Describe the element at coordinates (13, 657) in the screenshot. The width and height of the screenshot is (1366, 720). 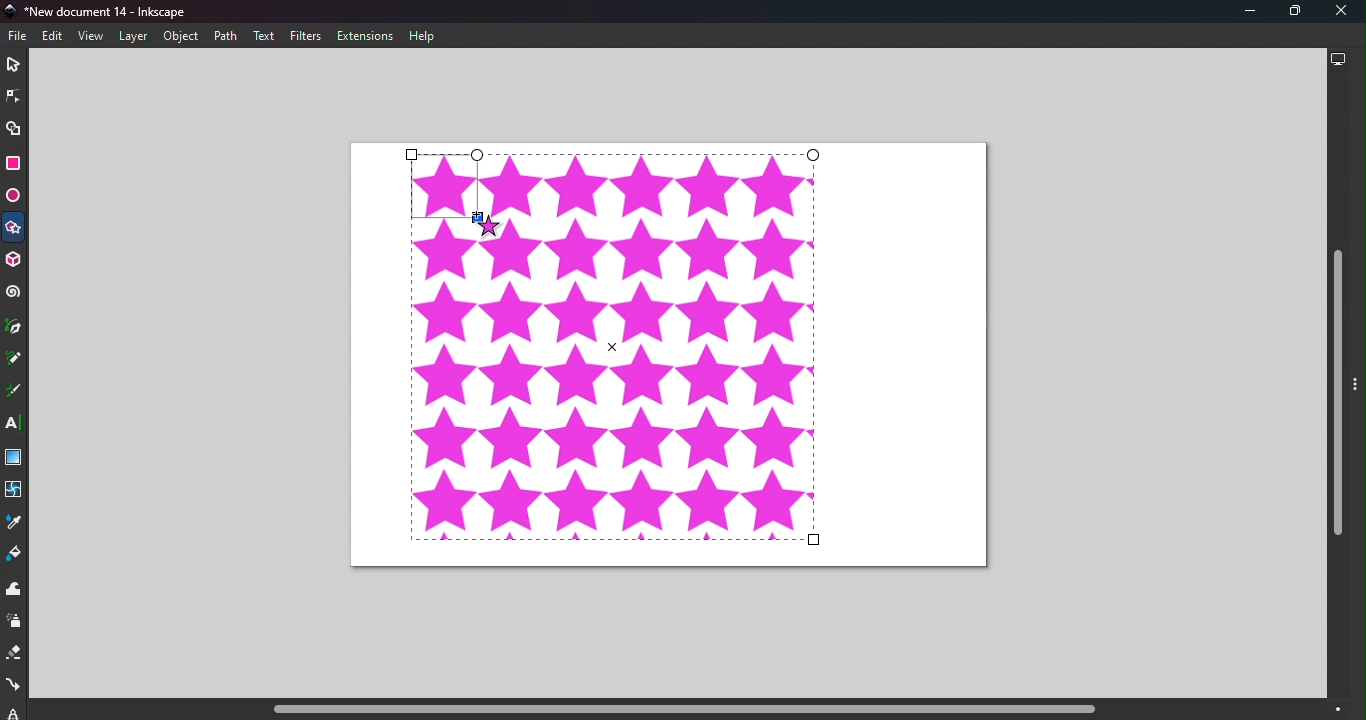
I see `Eraser tool` at that location.